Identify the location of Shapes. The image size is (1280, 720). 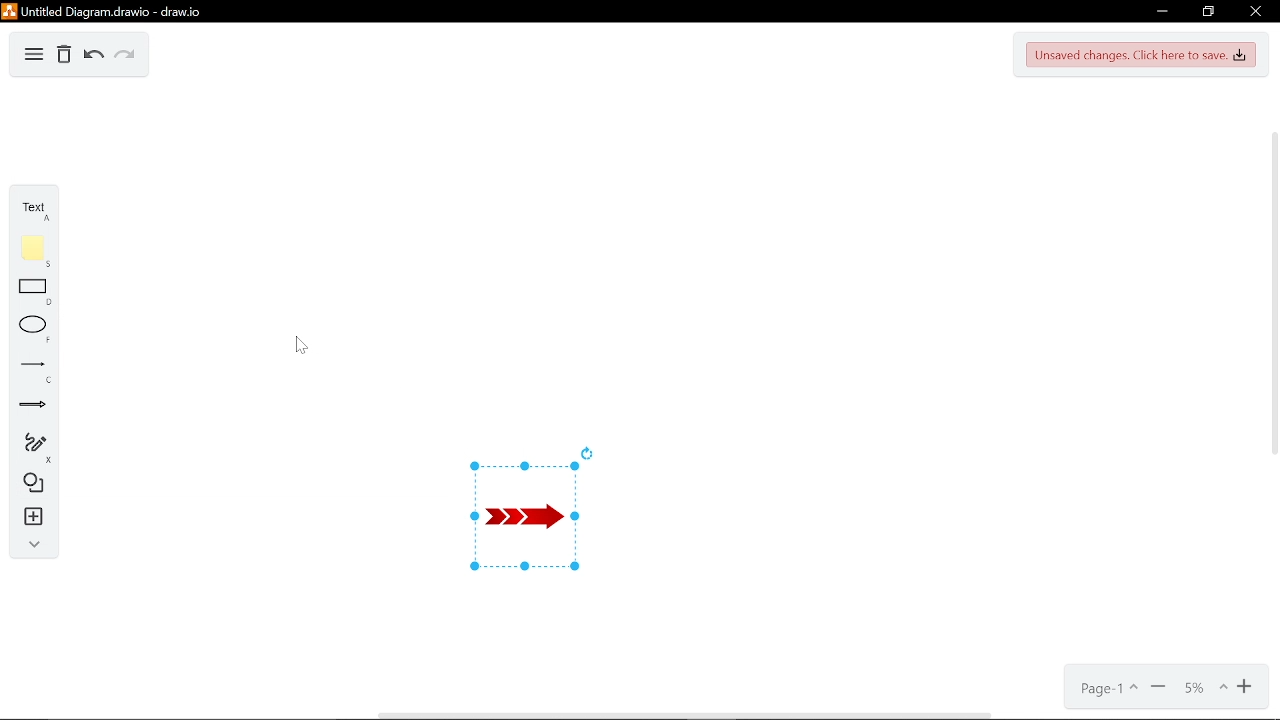
(29, 484).